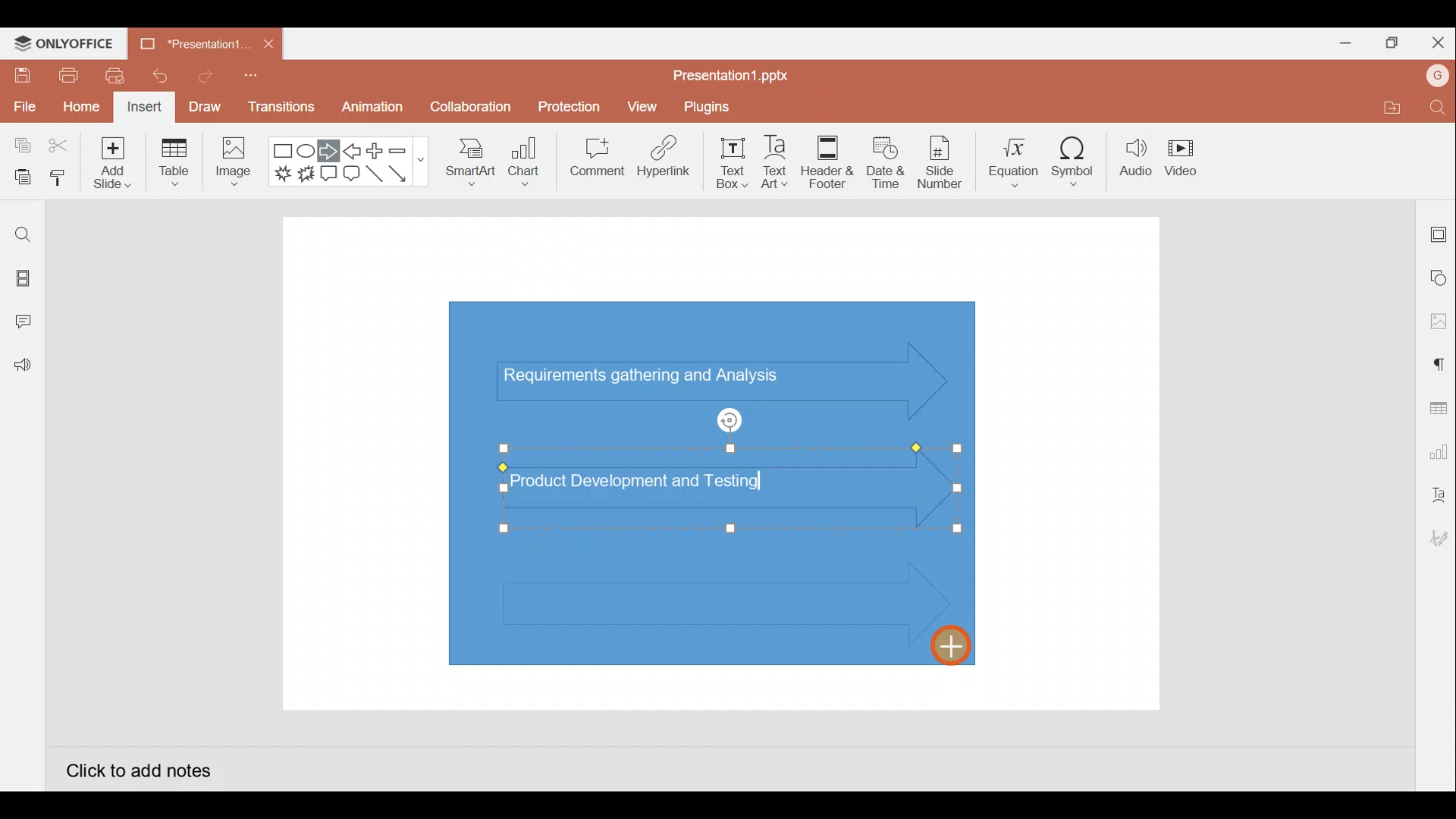 Image resolution: width=1456 pixels, height=819 pixels. What do you see at coordinates (1439, 322) in the screenshot?
I see `Image settings` at bounding box center [1439, 322].